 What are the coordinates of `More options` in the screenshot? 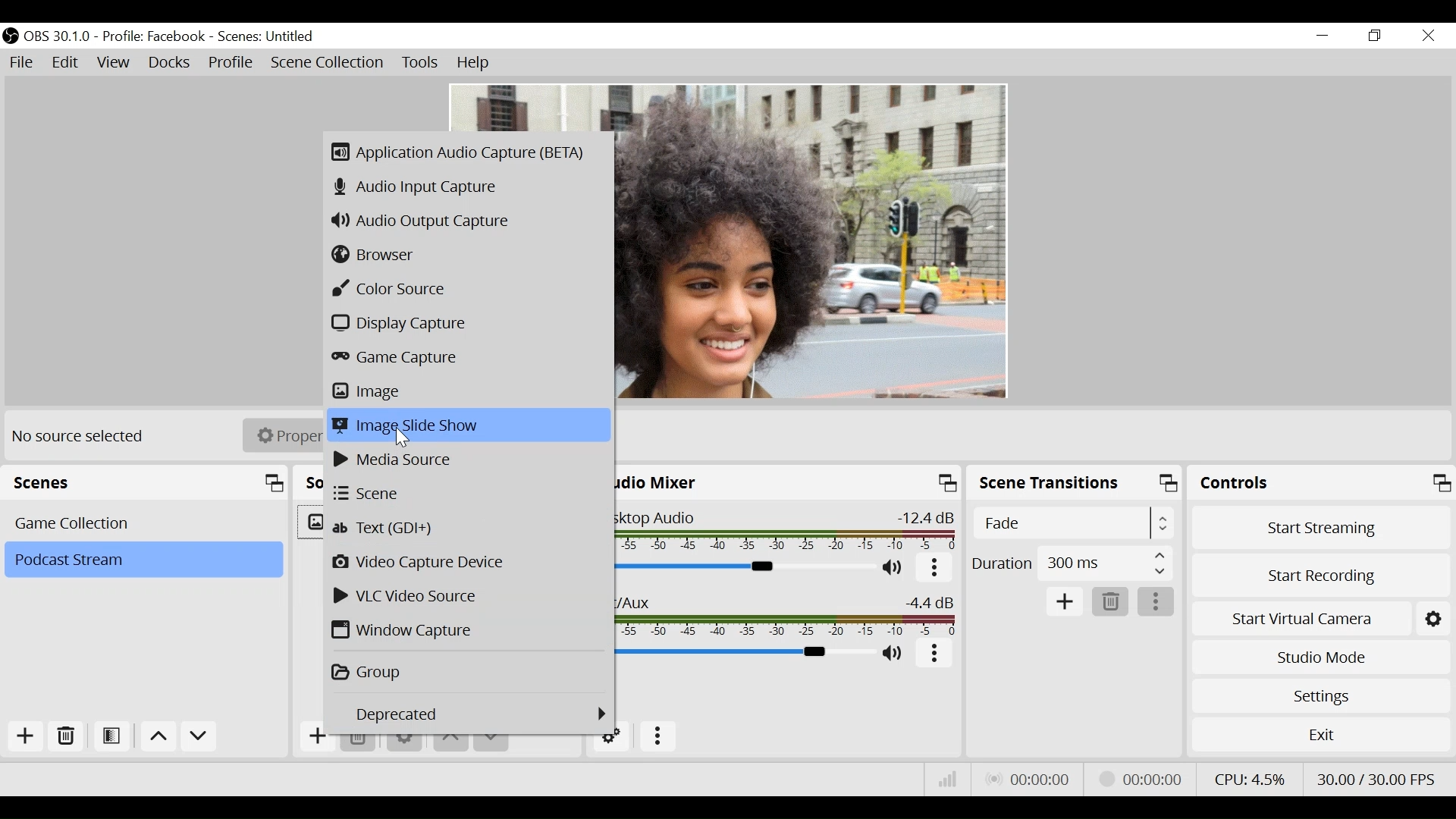 It's located at (935, 569).